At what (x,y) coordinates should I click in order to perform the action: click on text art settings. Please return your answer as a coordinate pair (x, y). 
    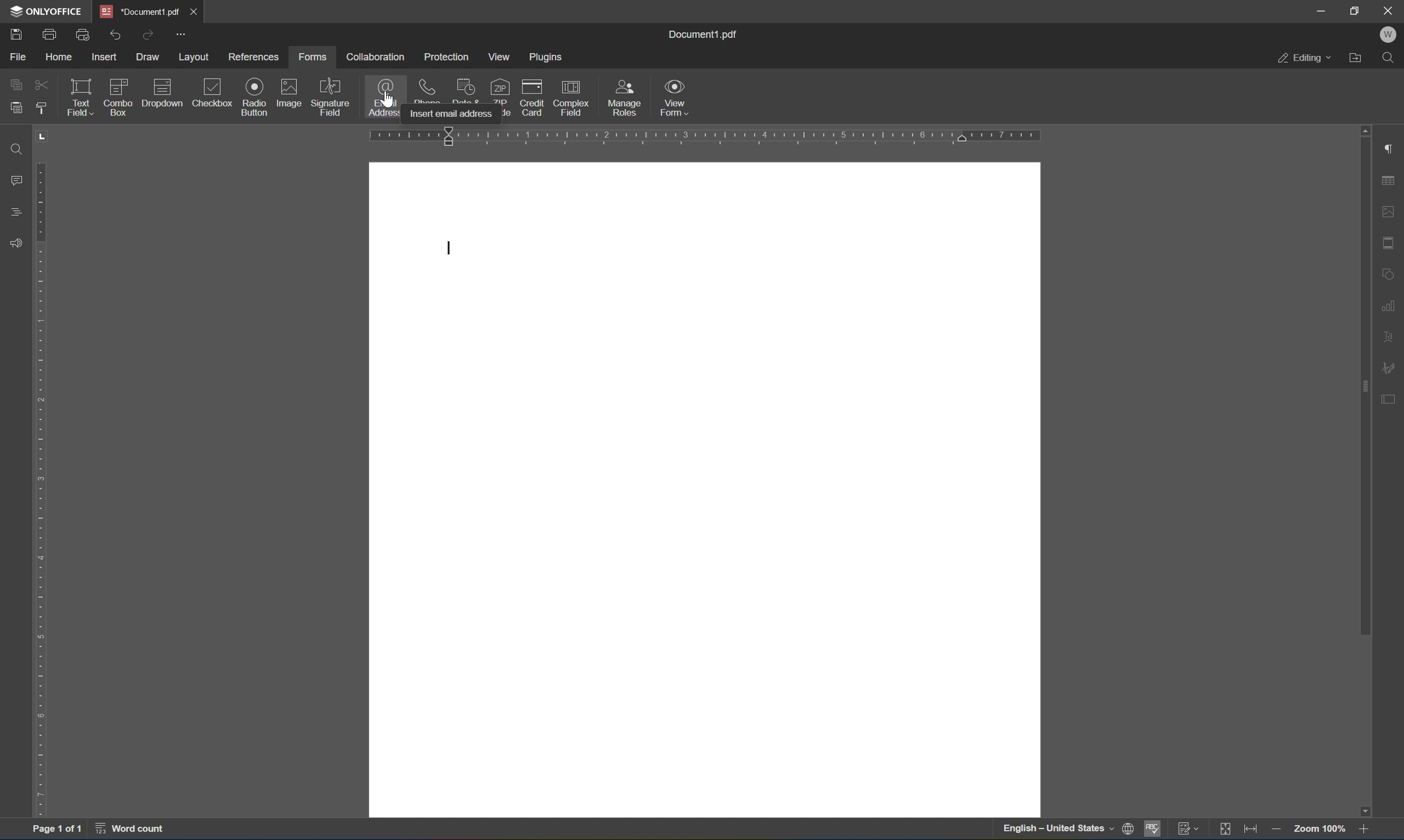
    Looking at the image, I should click on (1393, 336).